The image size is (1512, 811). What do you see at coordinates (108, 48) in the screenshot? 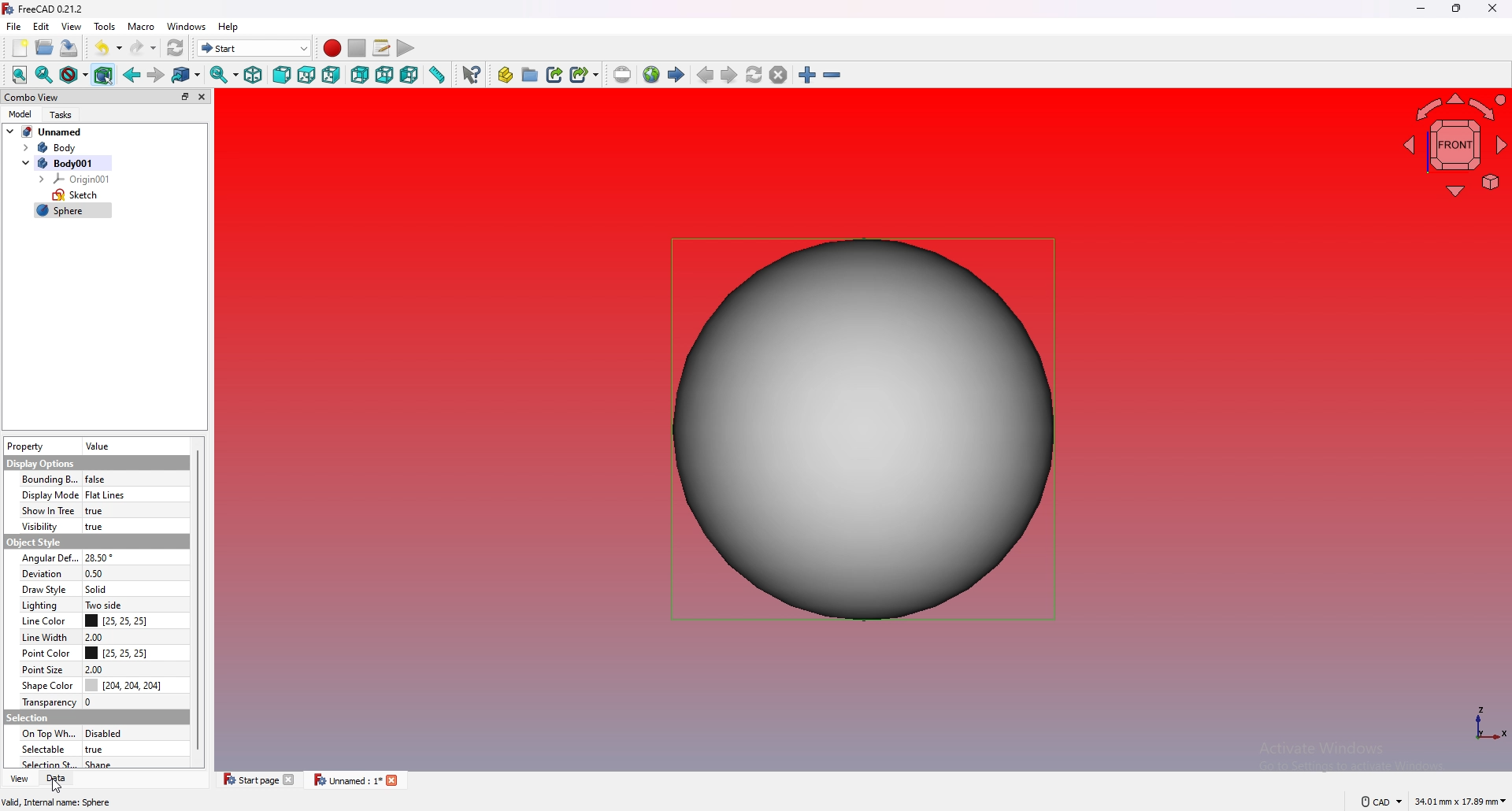
I see `undo` at bounding box center [108, 48].